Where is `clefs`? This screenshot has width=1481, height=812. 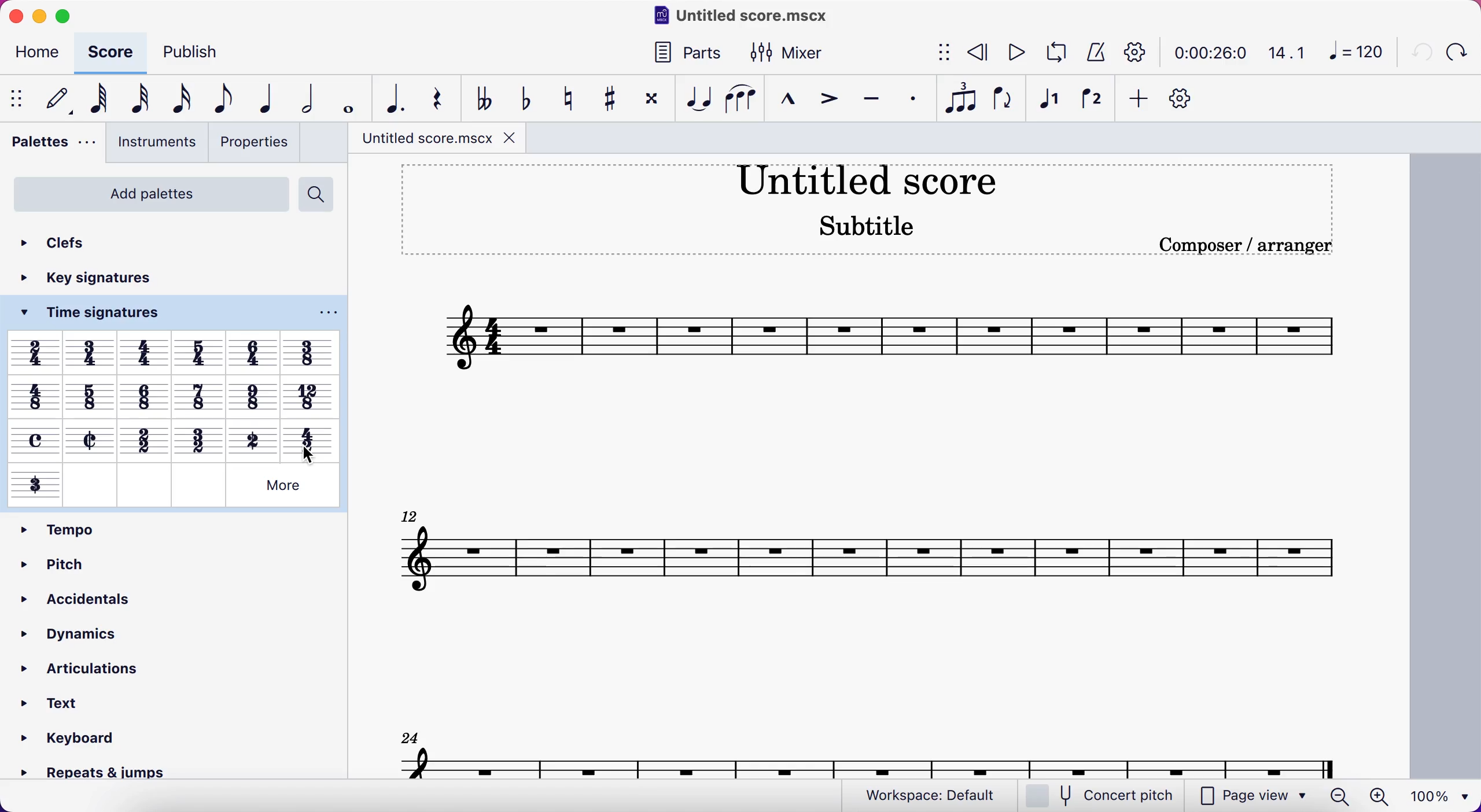 clefs is located at coordinates (62, 239).